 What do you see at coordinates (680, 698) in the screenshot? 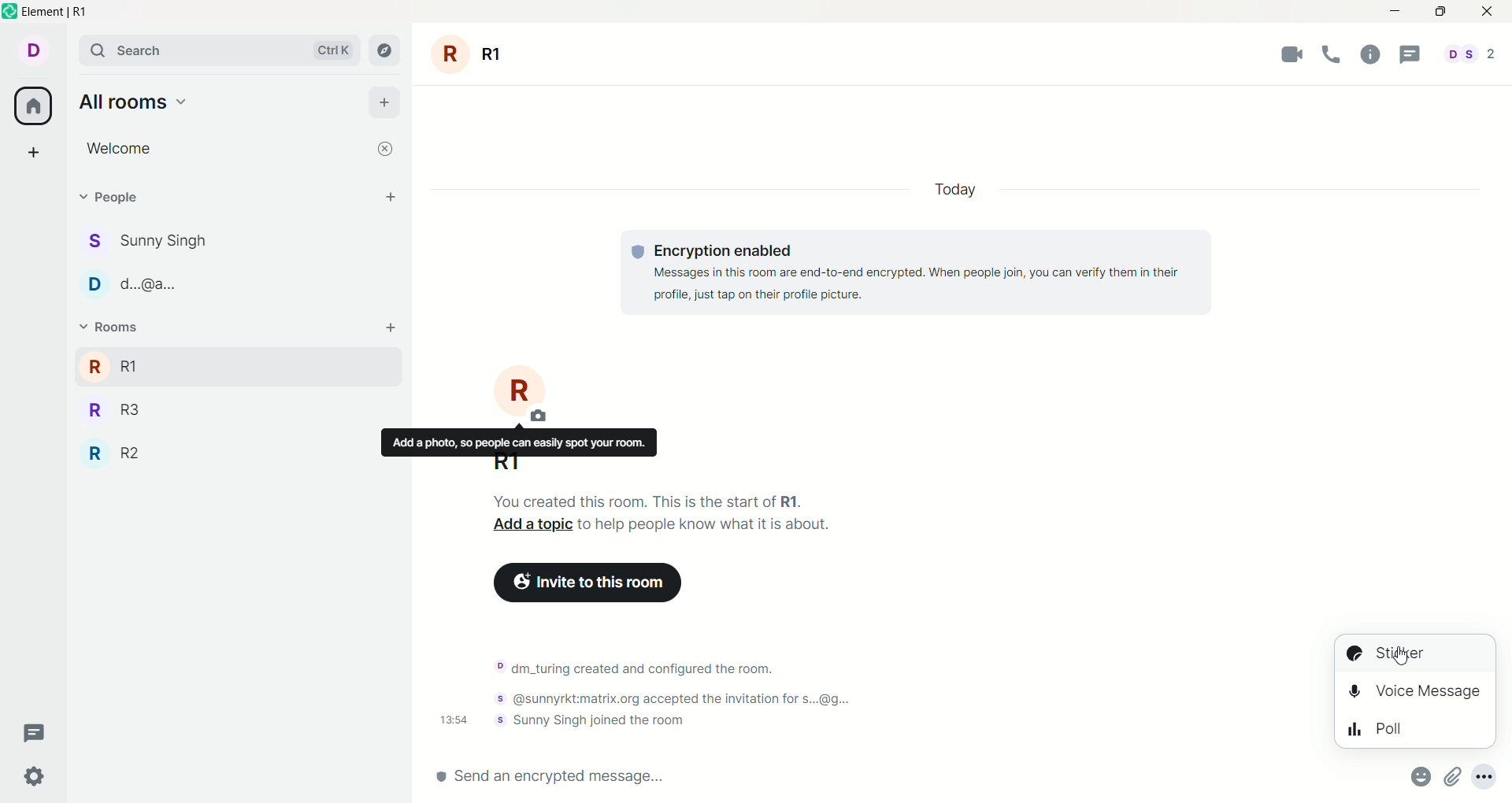
I see `Notification` at bounding box center [680, 698].